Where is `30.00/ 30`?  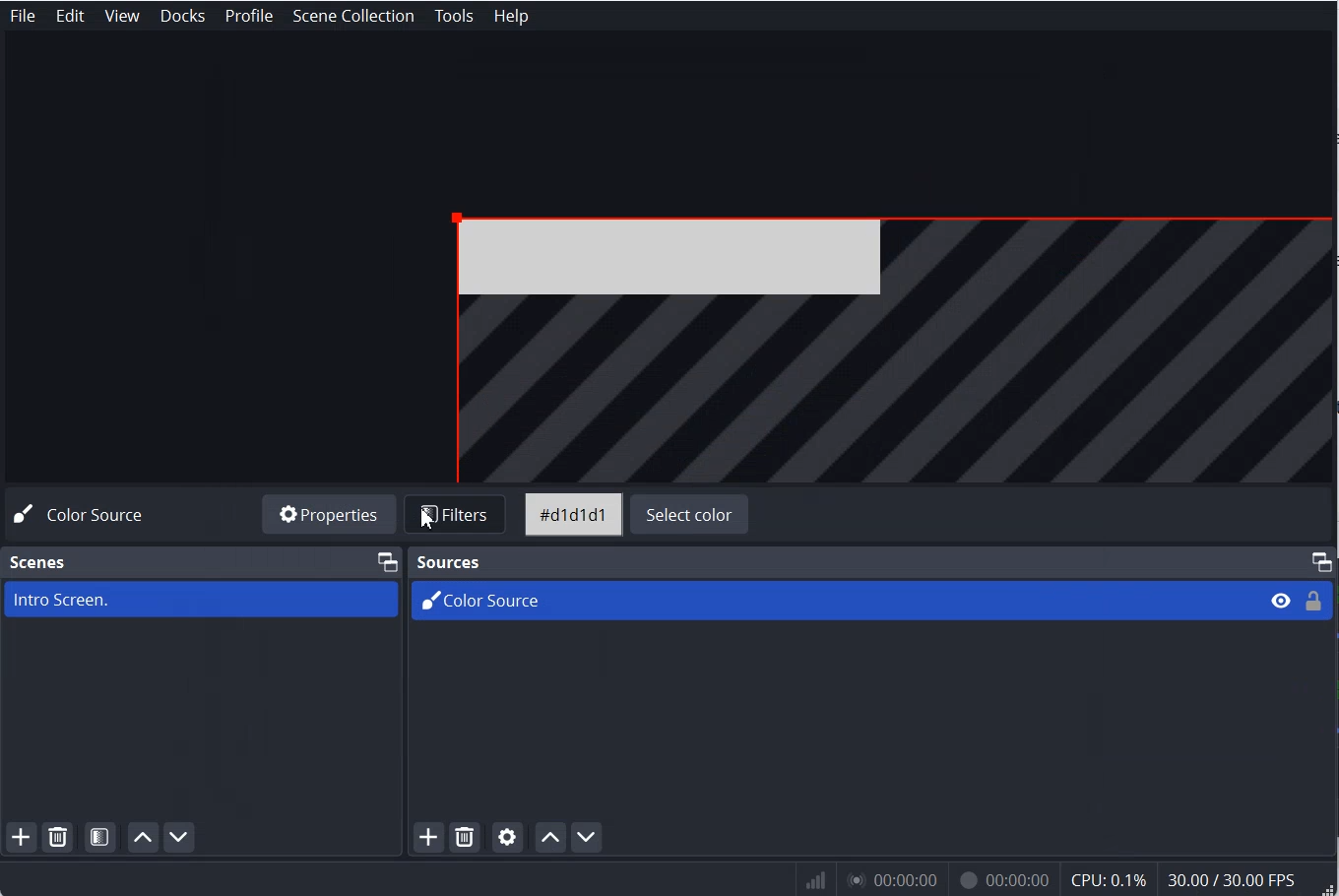 30.00/ 30 is located at coordinates (1235, 881).